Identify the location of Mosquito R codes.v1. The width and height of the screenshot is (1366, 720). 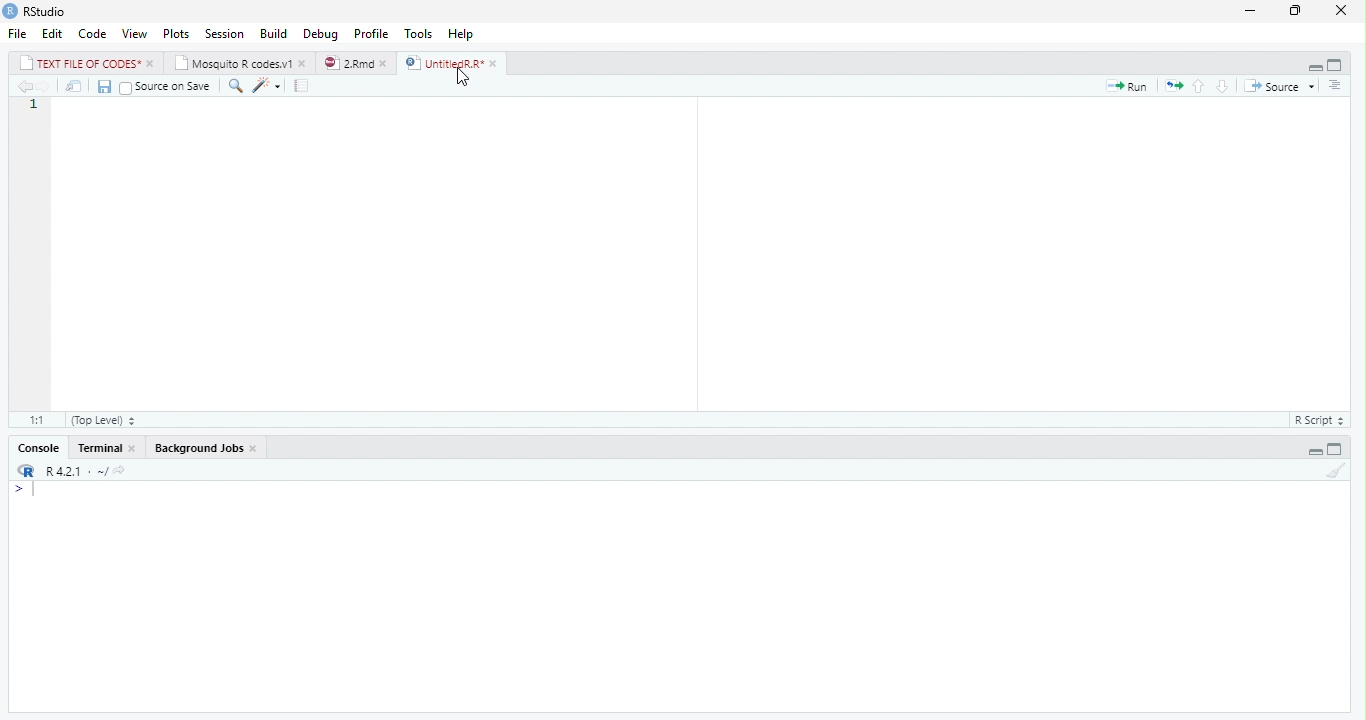
(239, 62).